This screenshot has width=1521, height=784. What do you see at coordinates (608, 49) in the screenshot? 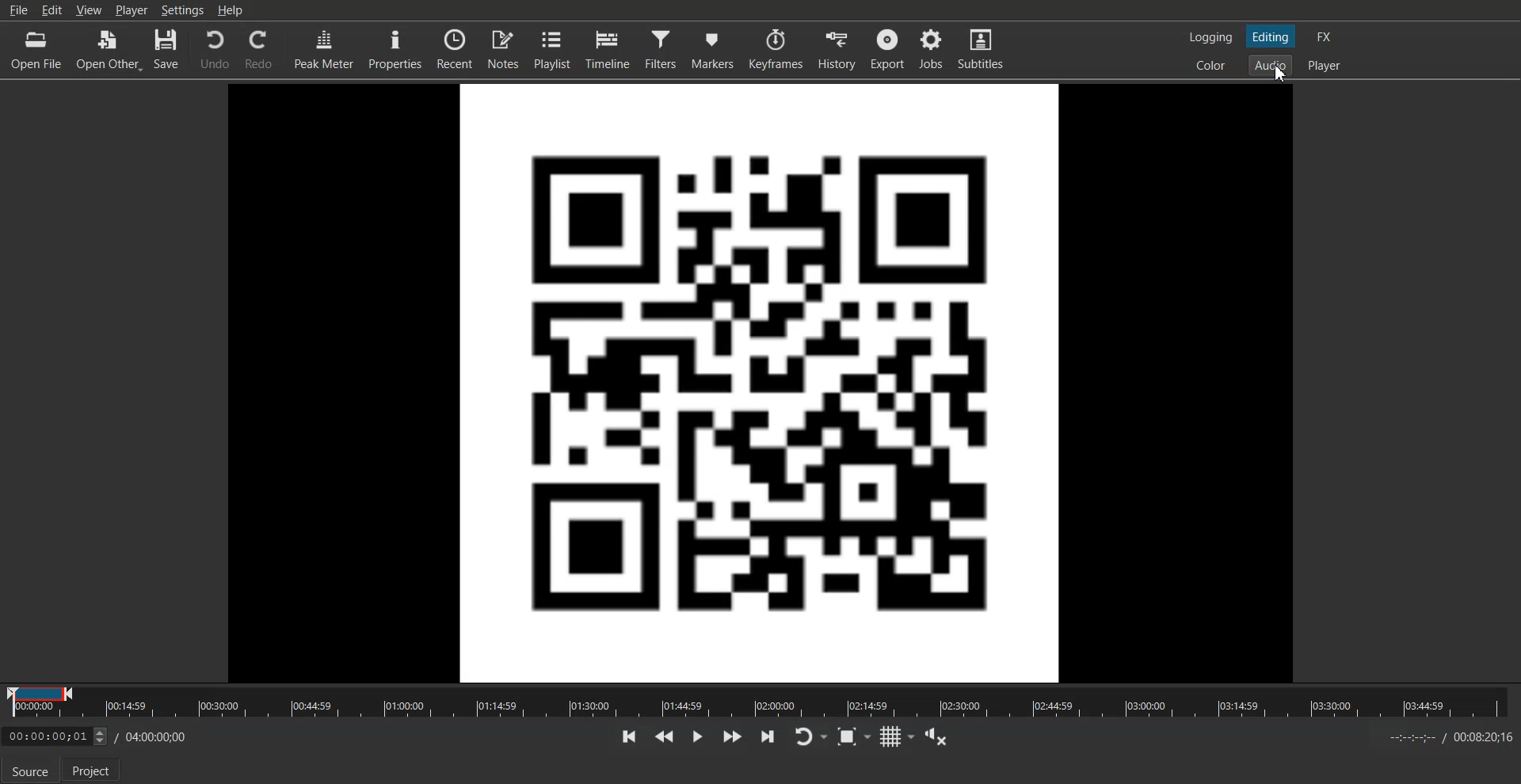
I see `Timeline` at bounding box center [608, 49].